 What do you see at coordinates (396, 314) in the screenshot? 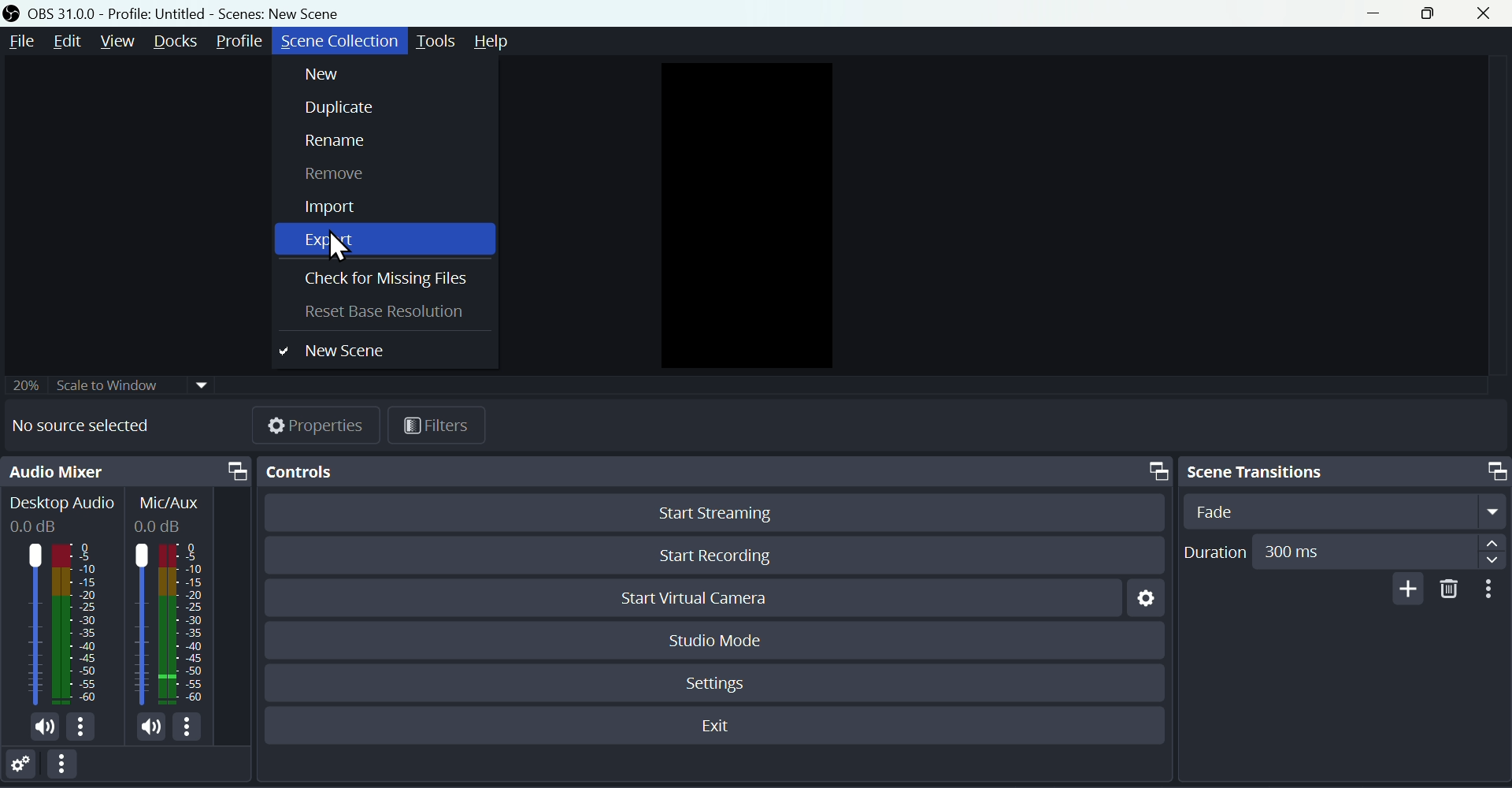
I see `Reset base resolution` at bounding box center [396, 314].